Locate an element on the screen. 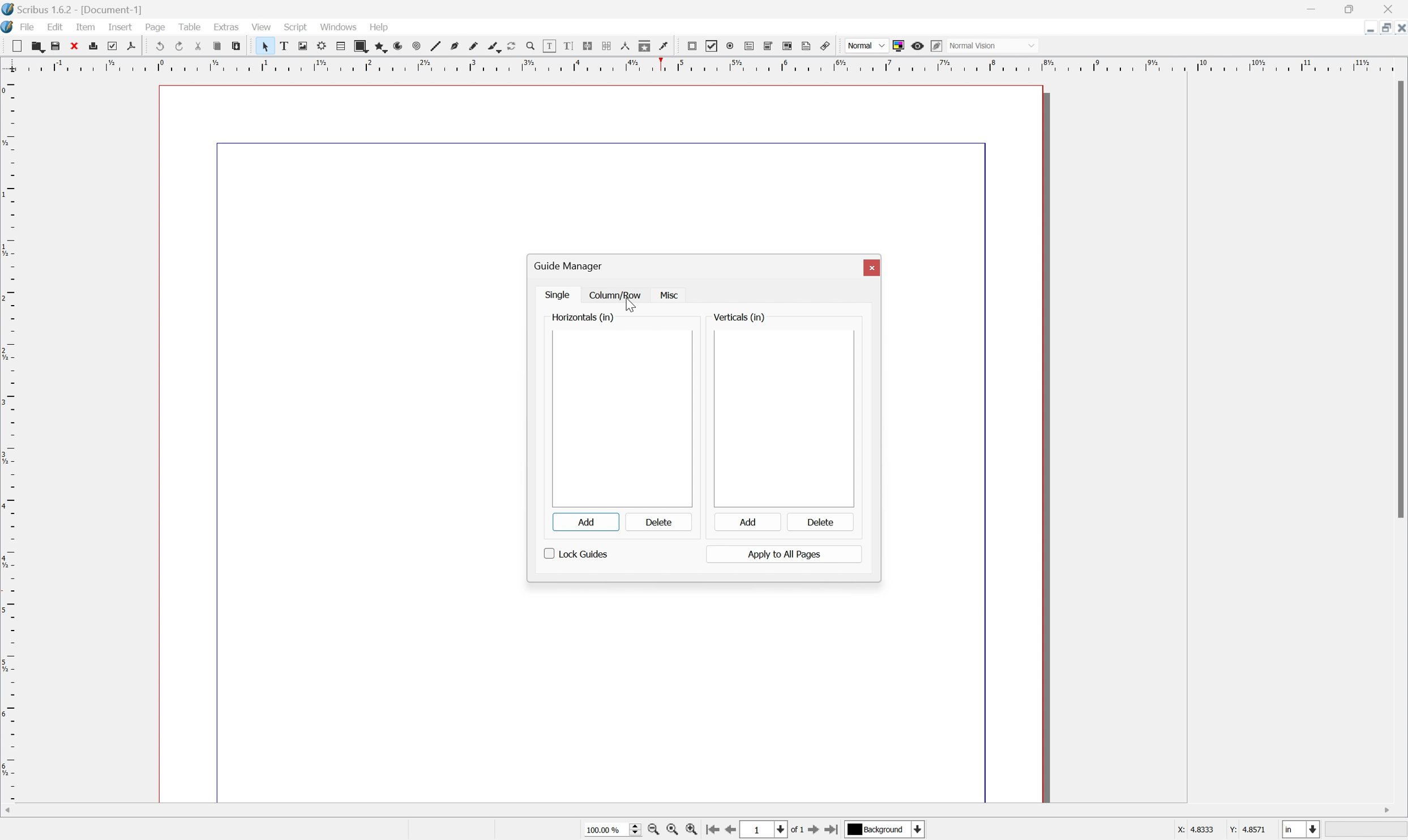 This screenshot has width=1408, height=840. cut is located at coordinates (198, 45).